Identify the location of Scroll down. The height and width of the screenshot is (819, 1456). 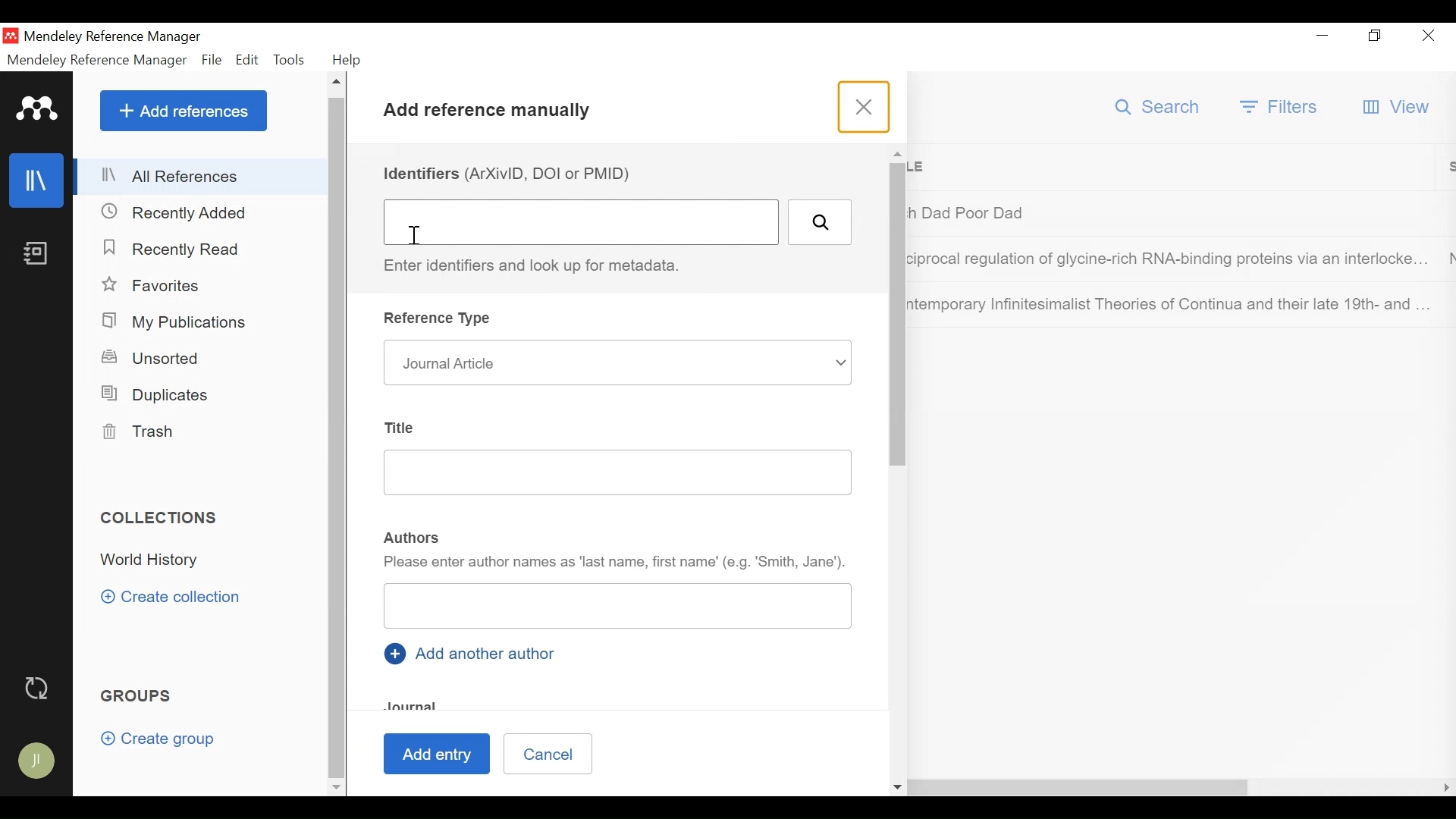
(334, 789).